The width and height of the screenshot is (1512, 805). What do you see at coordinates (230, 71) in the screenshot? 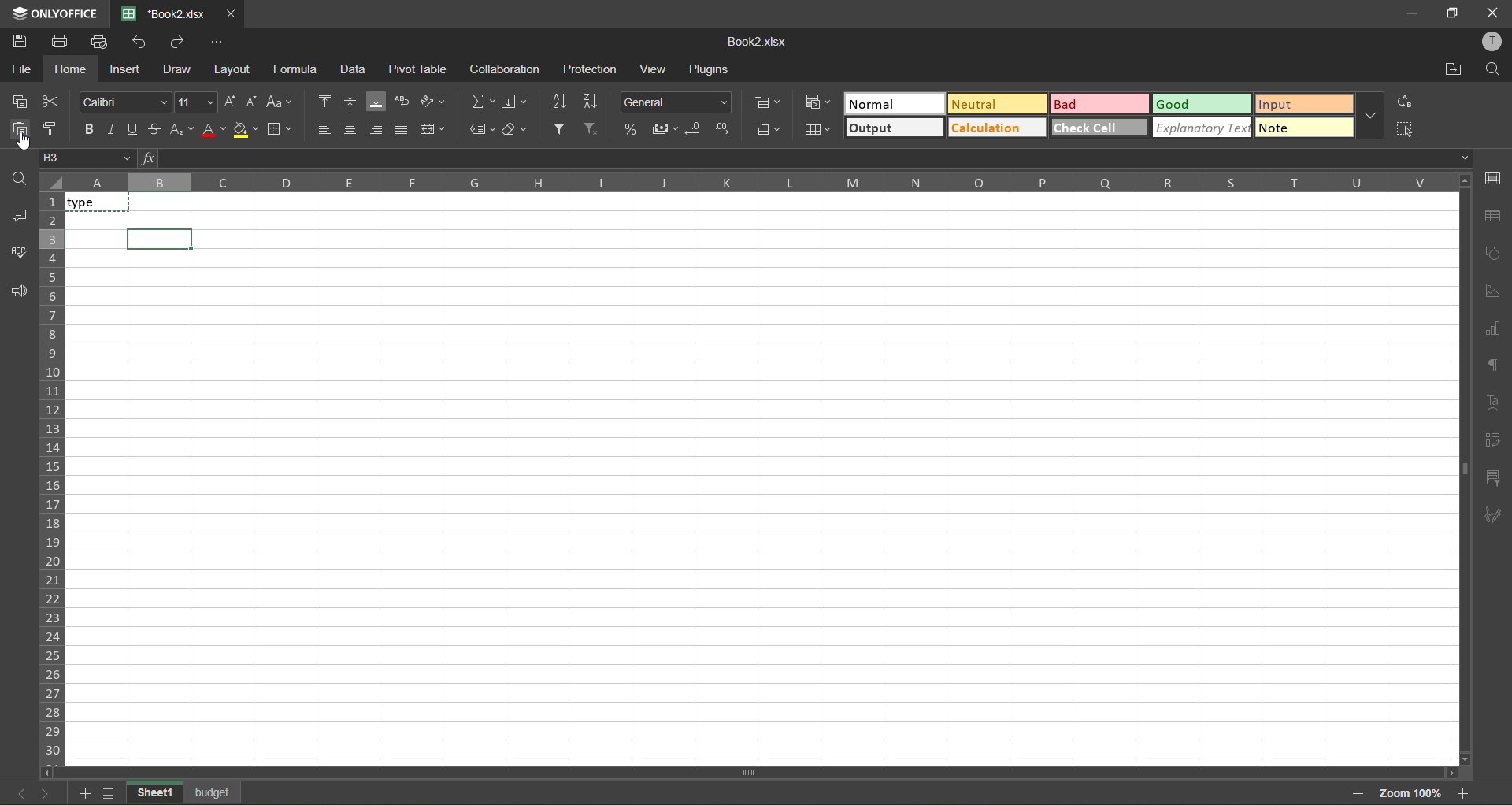
I see `layout` at bounding box center [230, 71].